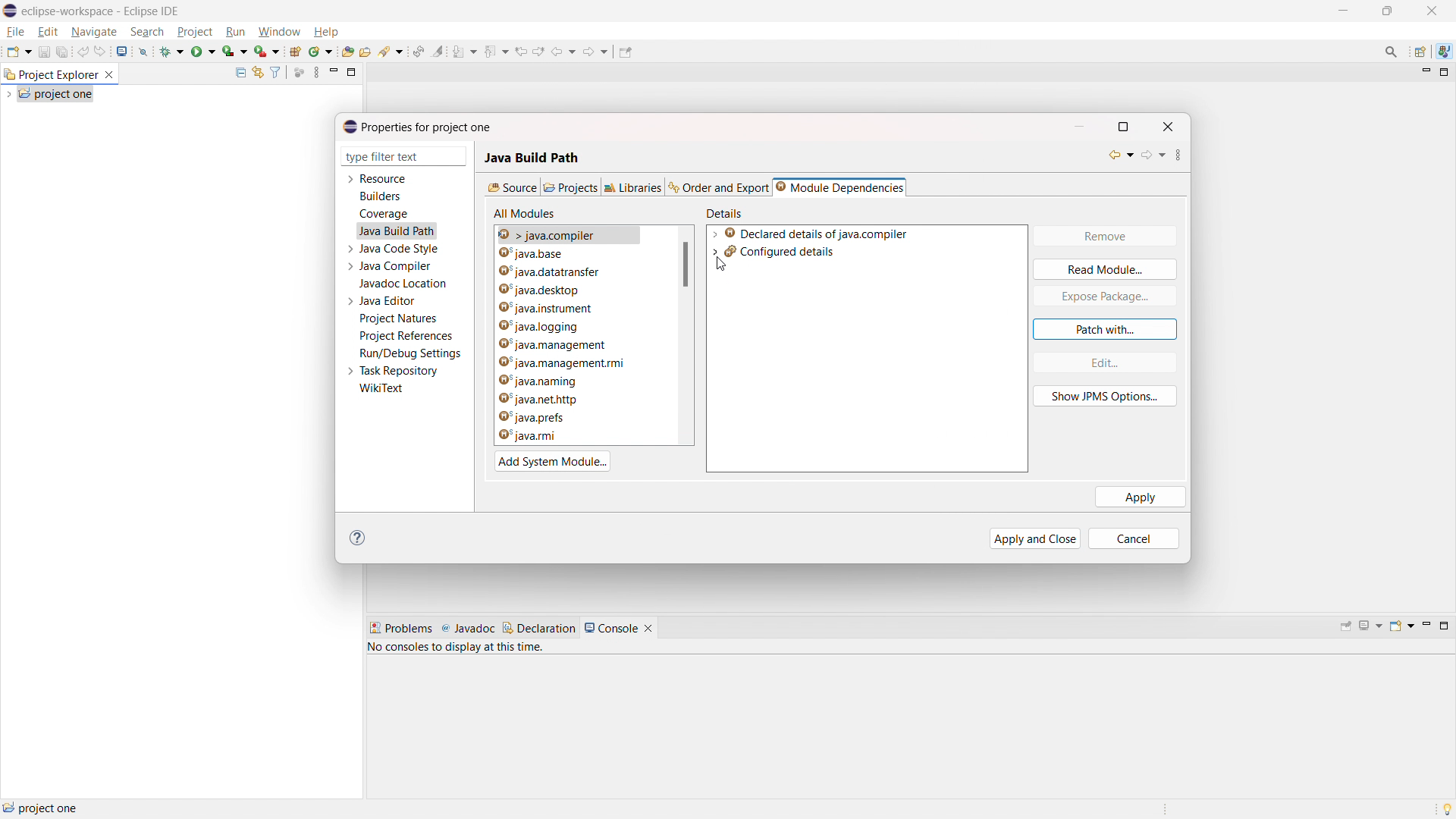 The height and width of the screenshot is (819, 1456). What do you see at coordinates (1445, 73) in the screenshot?
I see `maximize` at bounding box center [1445, 73].